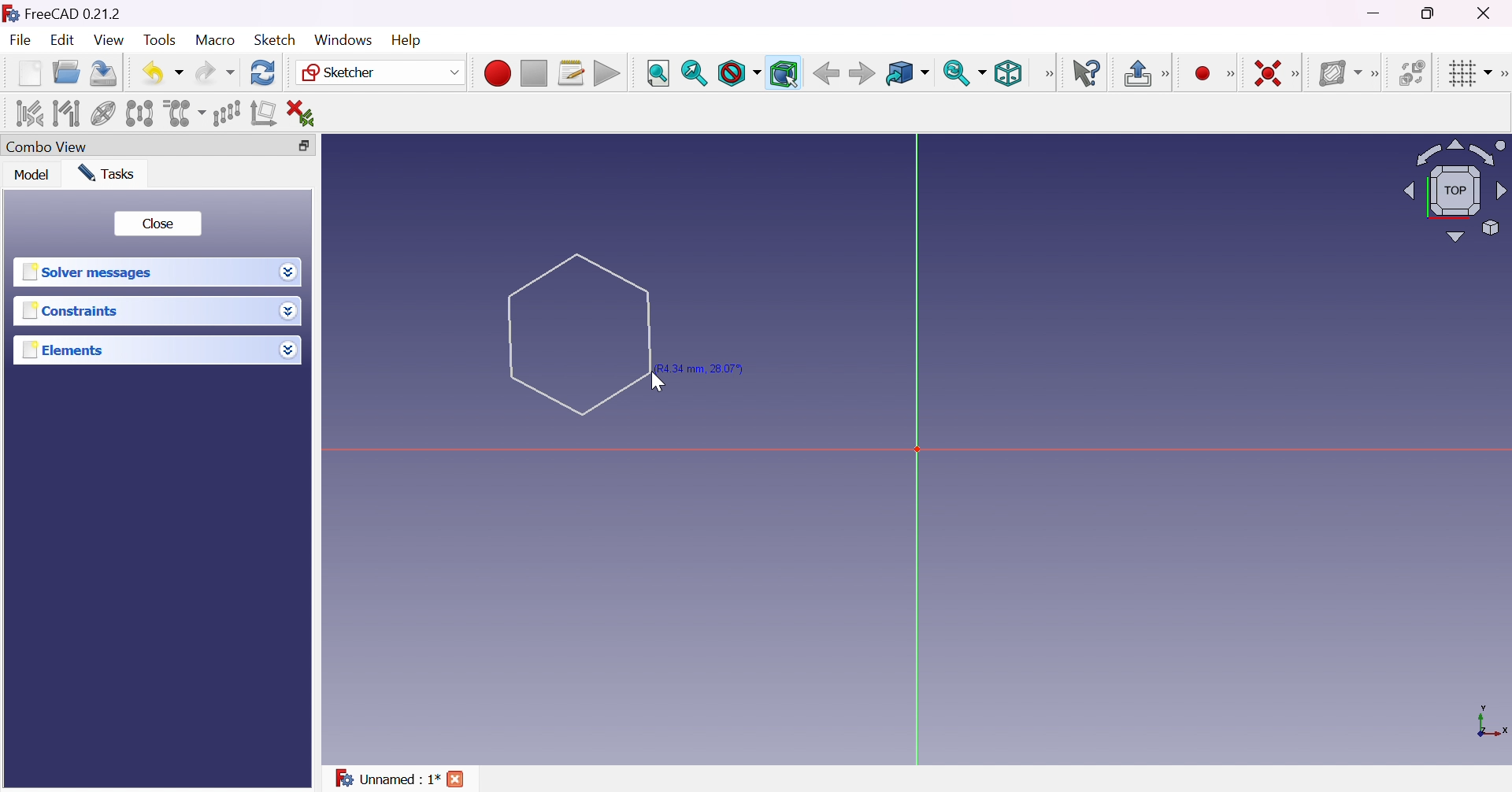 The height and width of the screenshot is (792, 1512). What do you see at coordinates (215, 72) in the screenshot?
I see `Redo` at bounding box center [215, 72].